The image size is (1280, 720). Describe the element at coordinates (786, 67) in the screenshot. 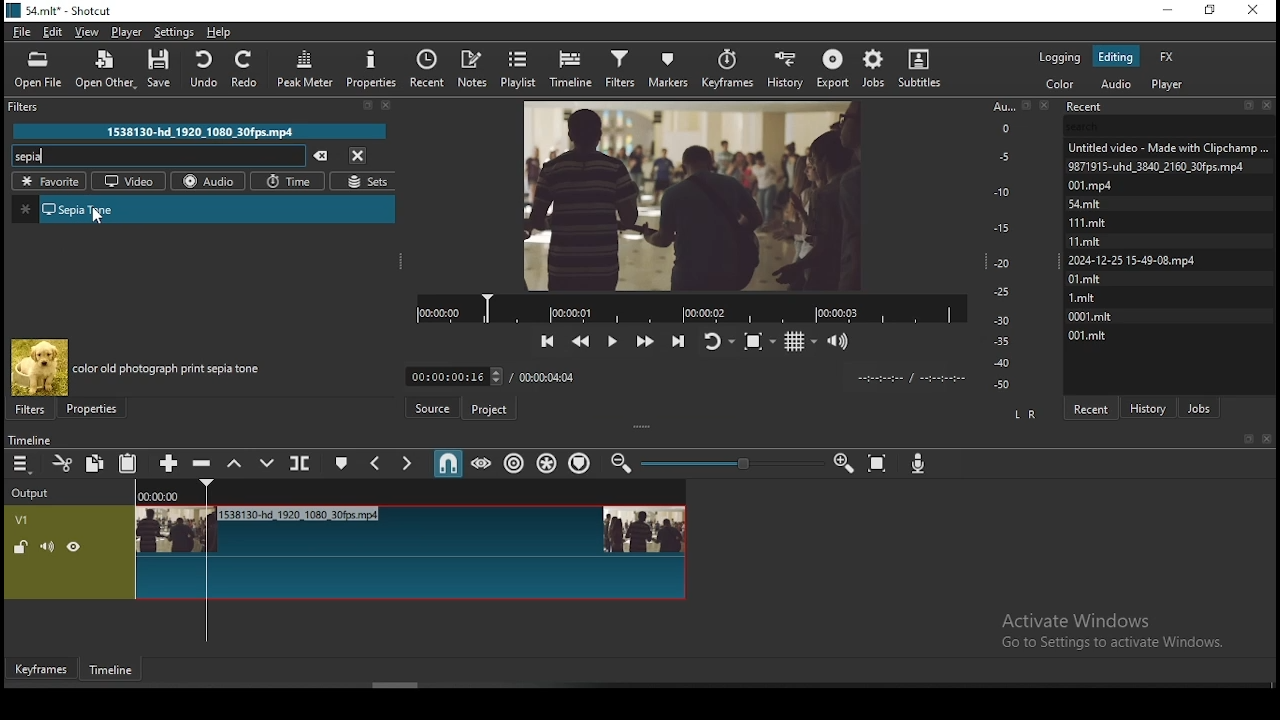

I see `history` at that location.